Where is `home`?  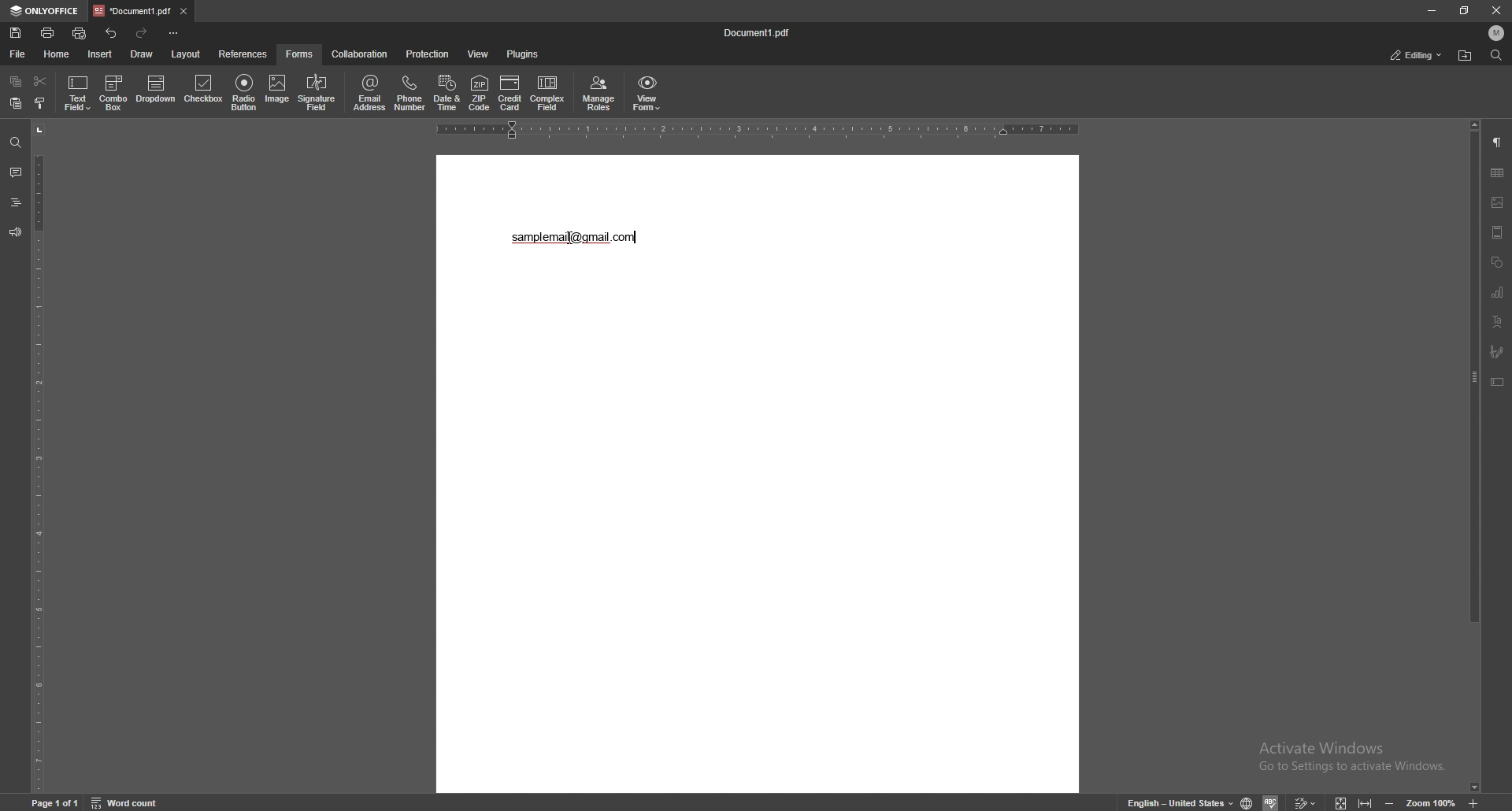 home is located at coordinates (56, 54).